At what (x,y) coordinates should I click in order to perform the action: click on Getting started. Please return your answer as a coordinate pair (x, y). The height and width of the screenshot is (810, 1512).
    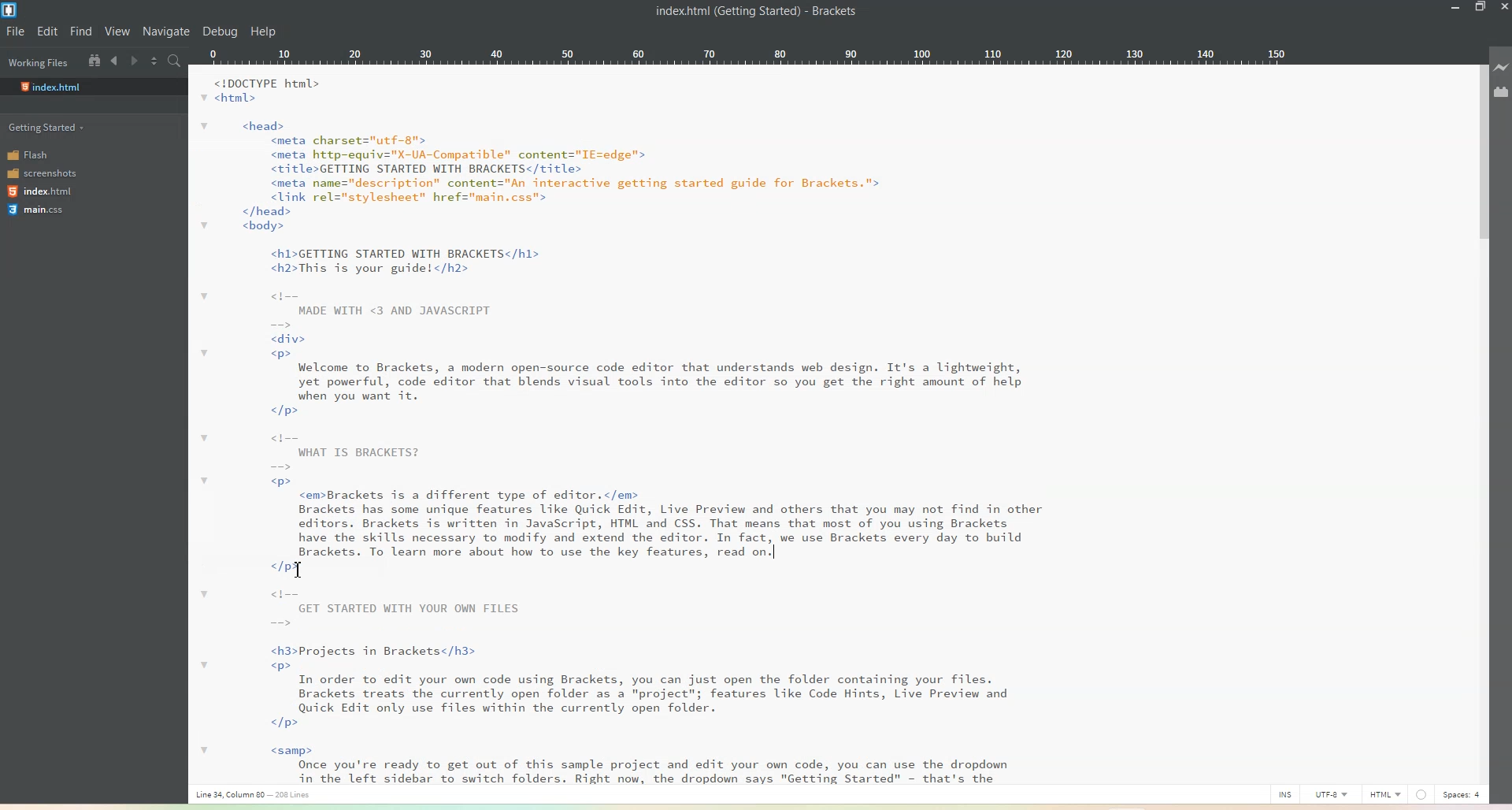
    Looking at the image, I should click on (46, 127).